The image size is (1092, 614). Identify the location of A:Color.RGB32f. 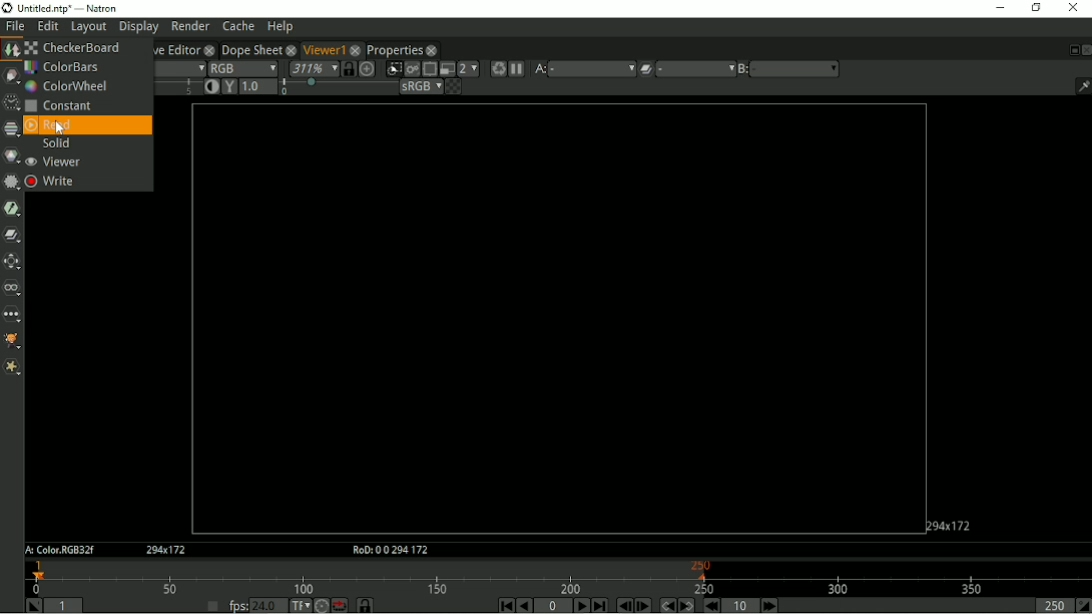
(58, 551).